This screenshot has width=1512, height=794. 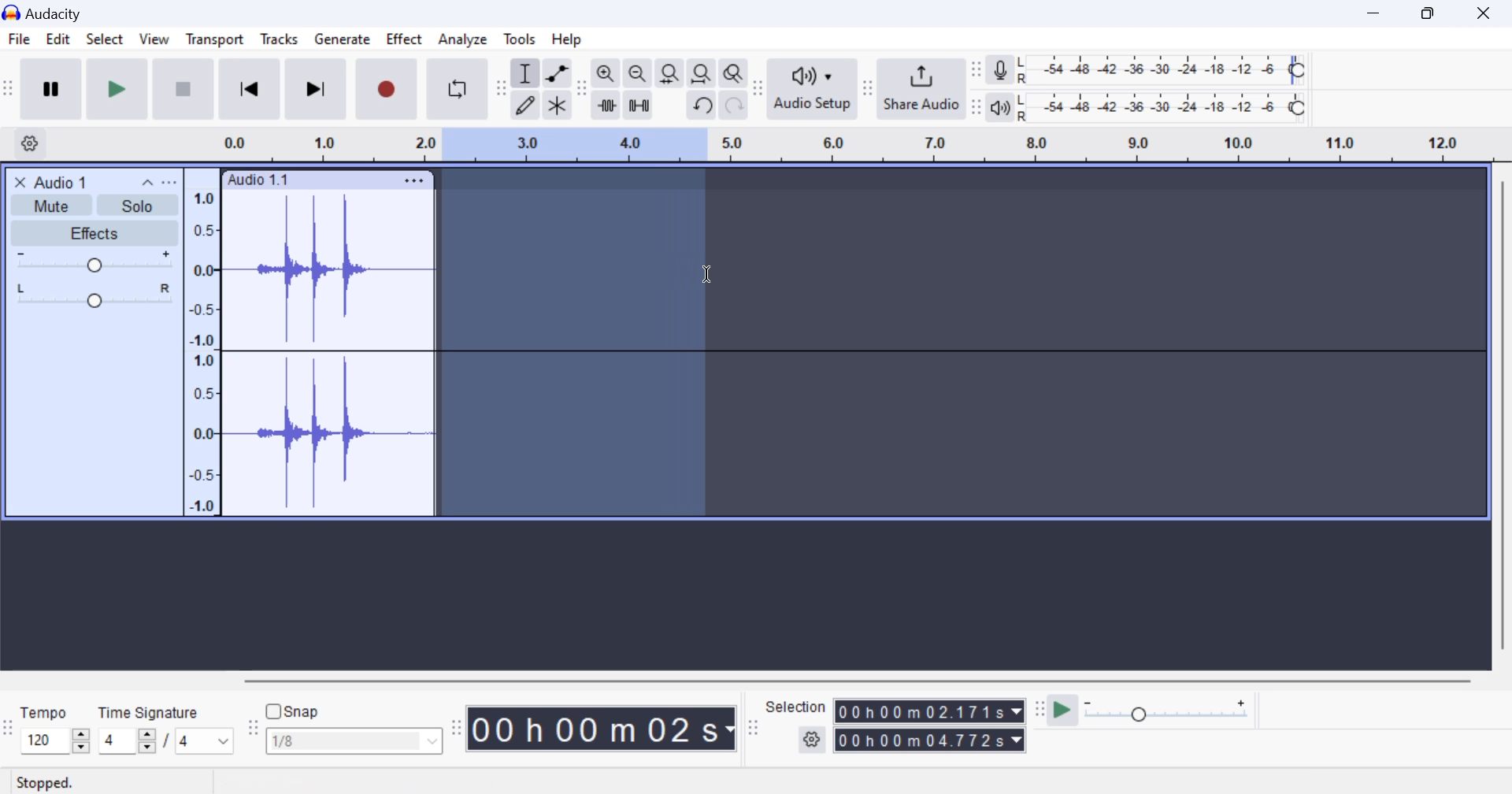 What do you see at coordinates (605, 728) in the screenshot?
I see `Clip Length` at bounding box center [605, 728].